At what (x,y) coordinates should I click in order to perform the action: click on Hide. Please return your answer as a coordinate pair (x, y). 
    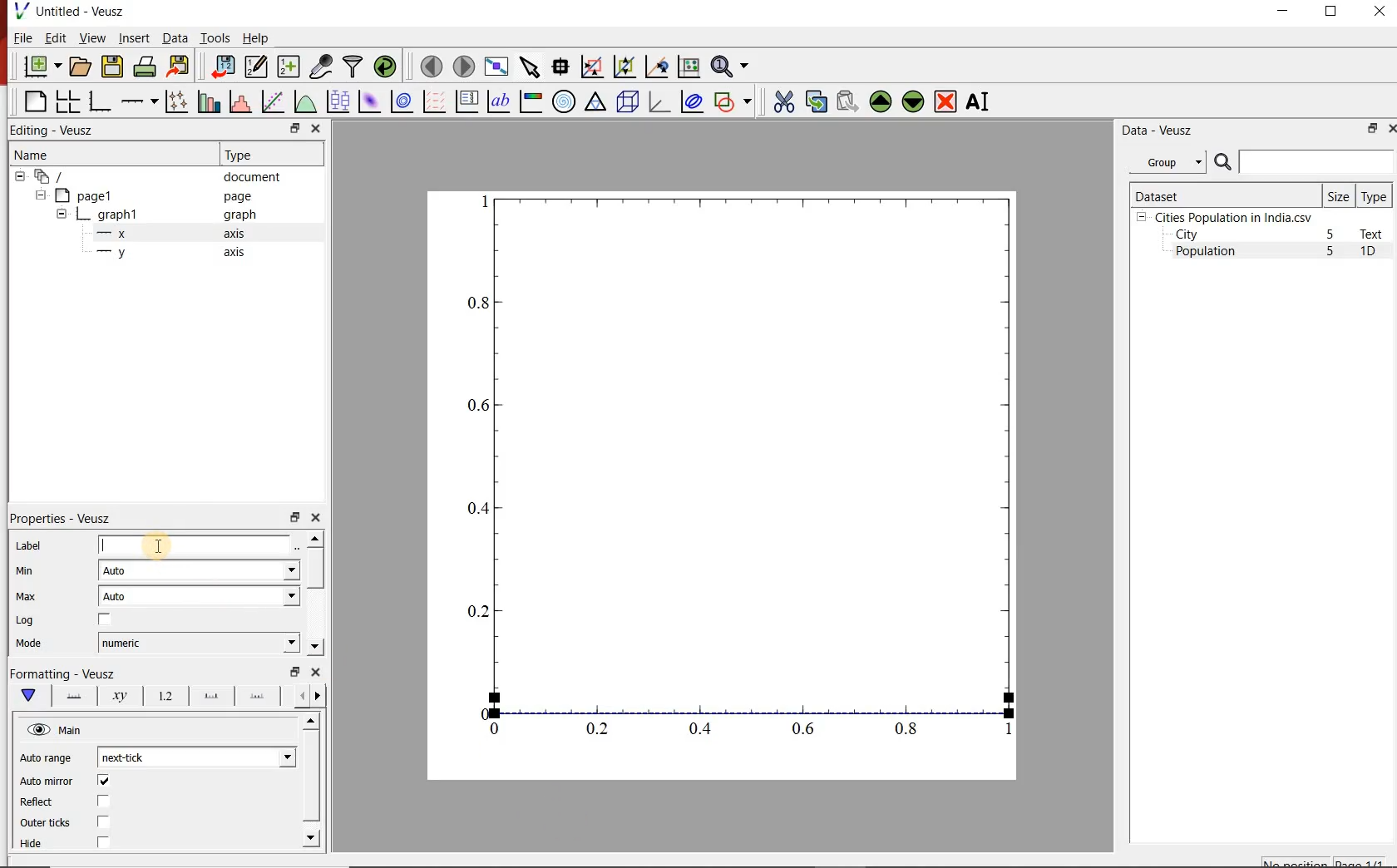
    Looking at the image, I should click on (39, 847).